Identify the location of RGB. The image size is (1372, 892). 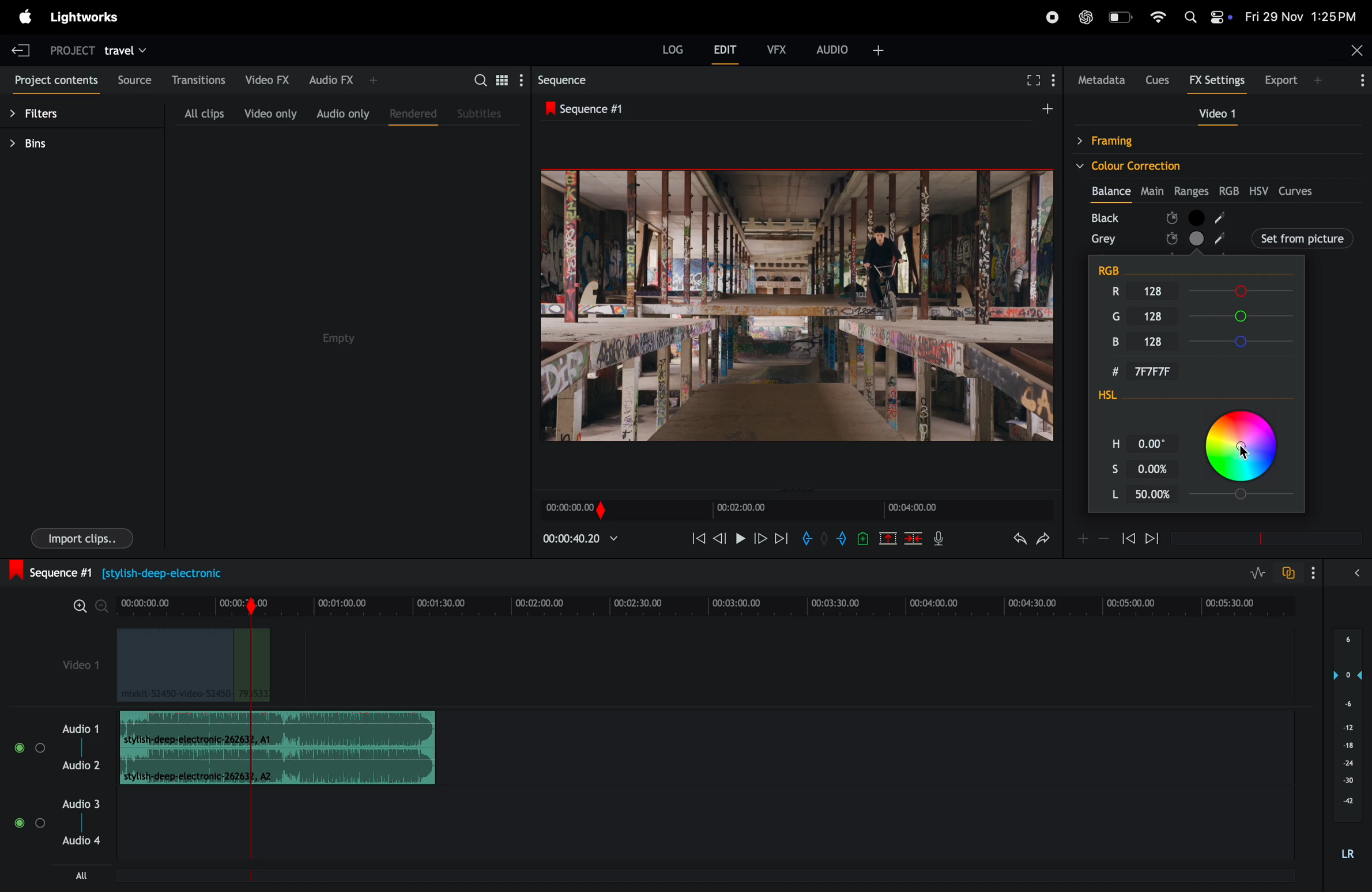
(1121, 267).